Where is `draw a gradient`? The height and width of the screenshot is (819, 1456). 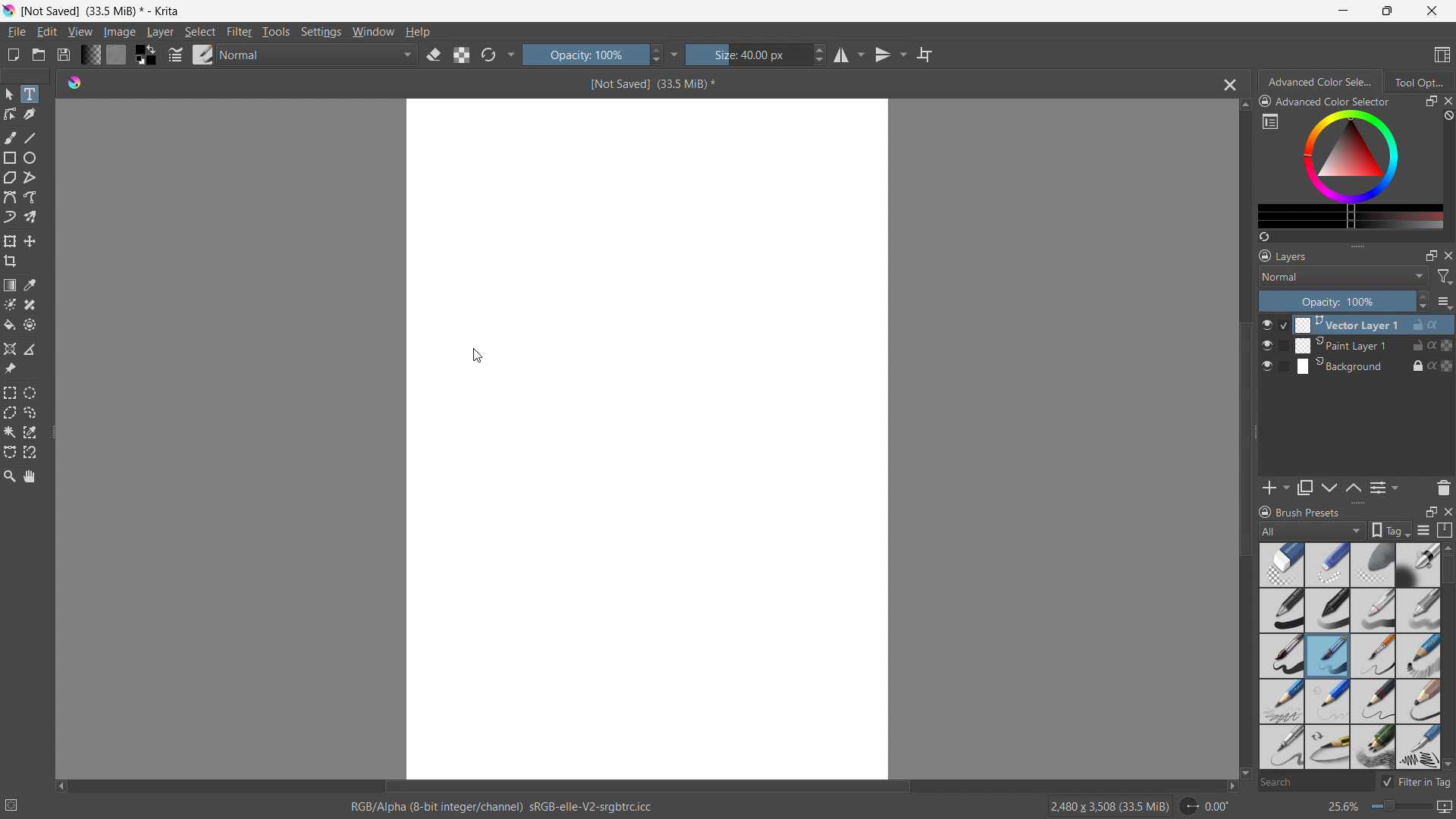 draw a gradient is located at coordinates (10, 285).